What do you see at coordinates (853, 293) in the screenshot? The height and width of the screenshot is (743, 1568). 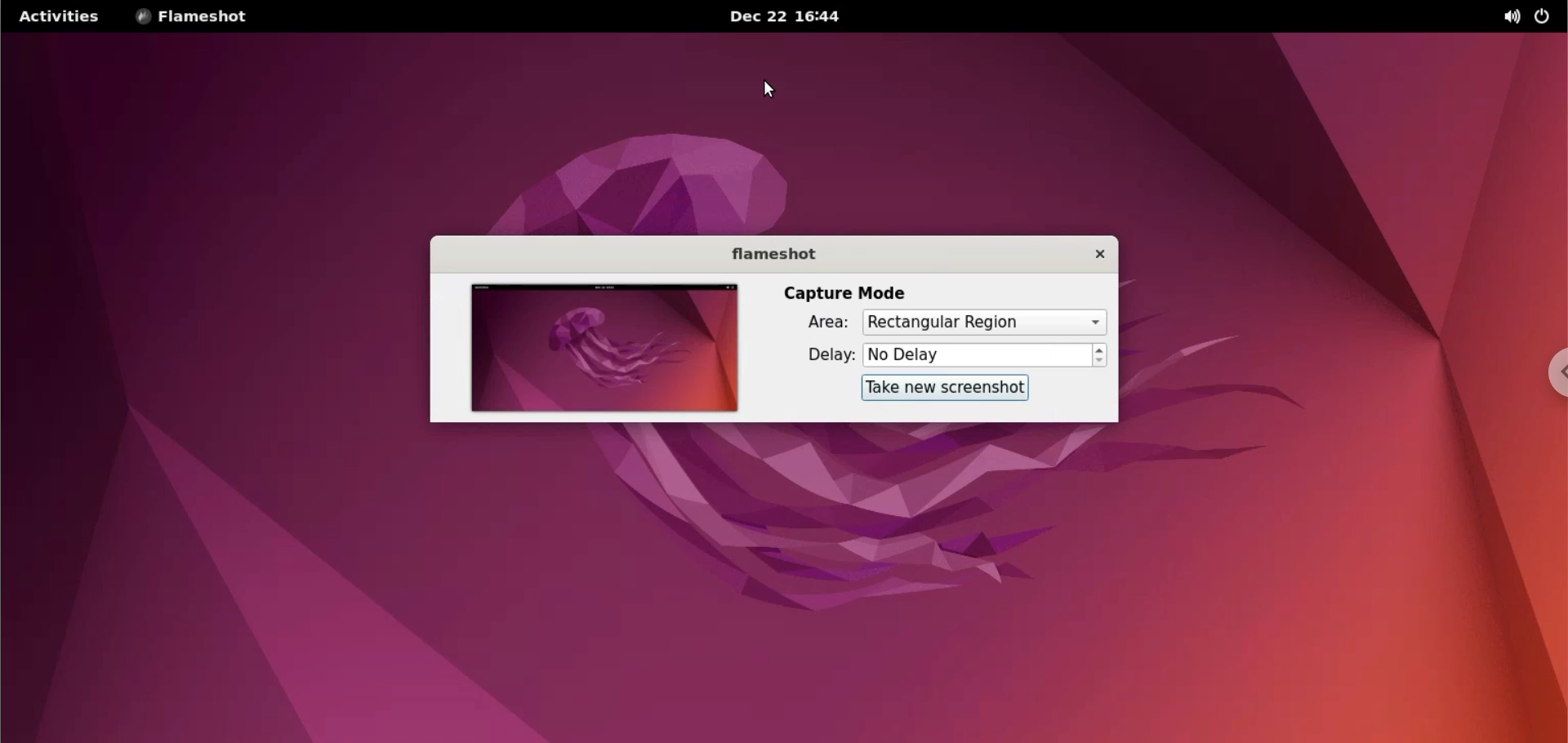 I see `capture mode` at bounding box center [853, 293].